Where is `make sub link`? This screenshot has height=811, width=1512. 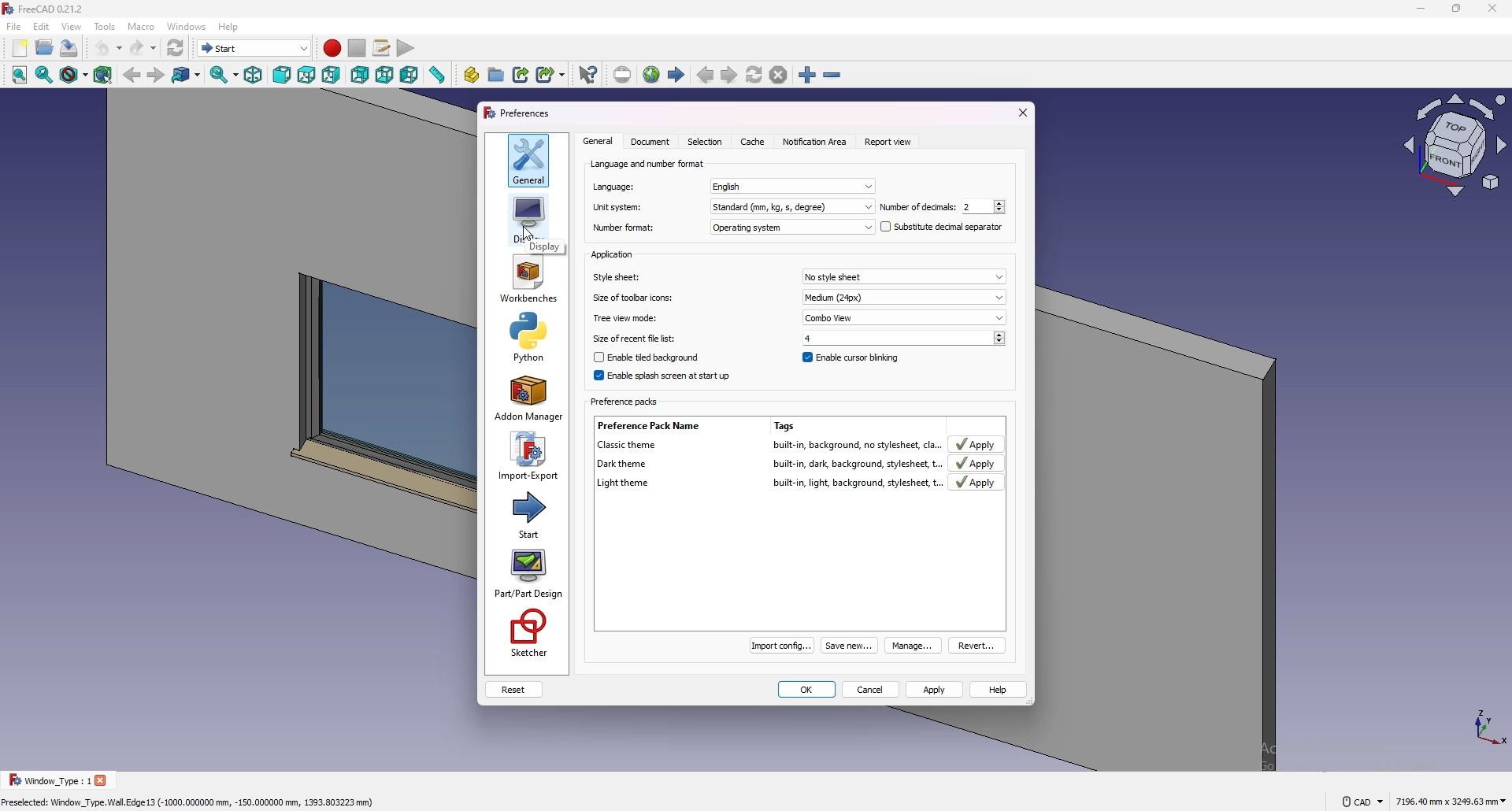
make sub link is located at coordinates (551, 73).